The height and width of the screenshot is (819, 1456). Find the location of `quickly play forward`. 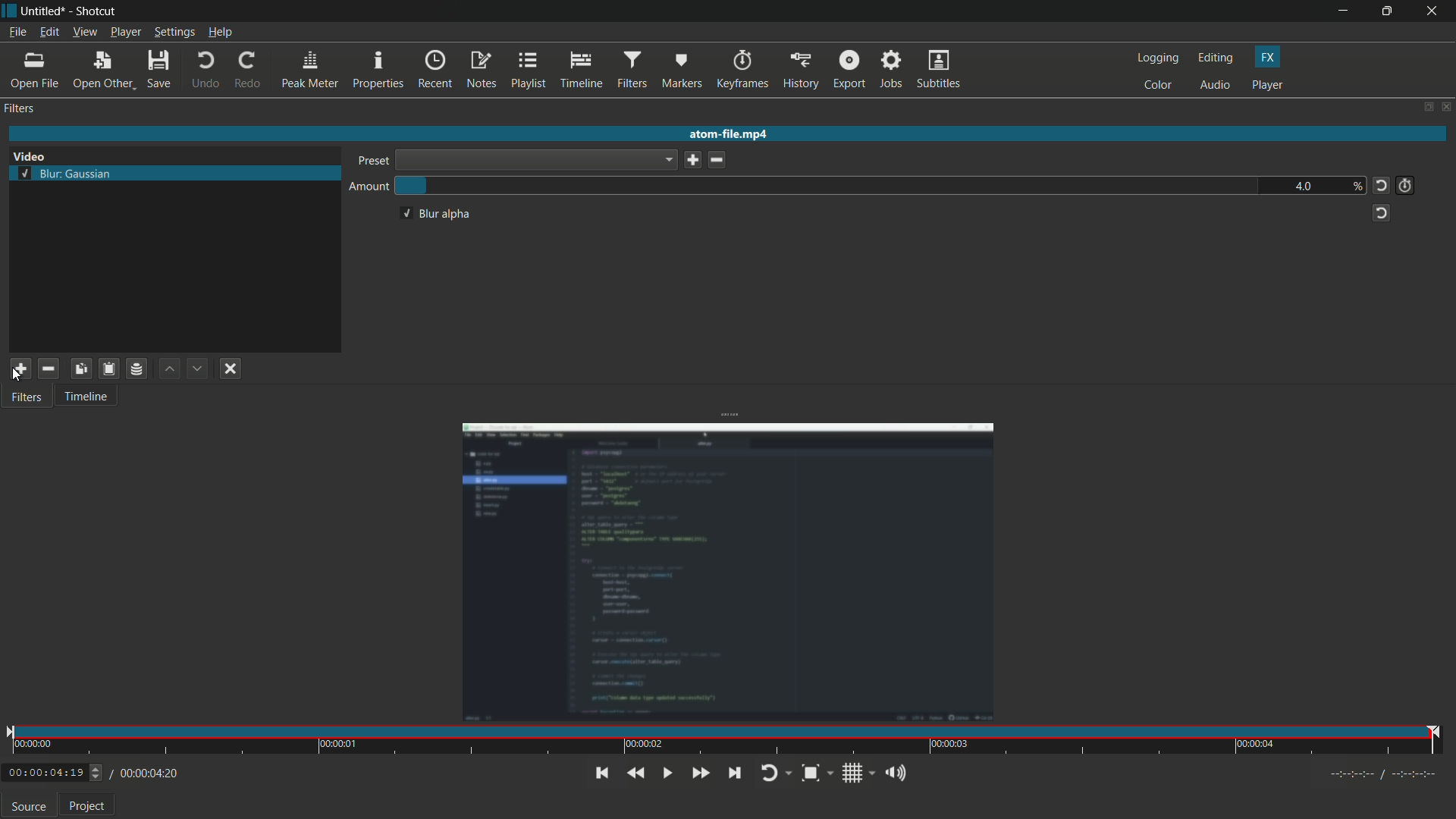

quickly play forward is located at coordinates (698, 773).